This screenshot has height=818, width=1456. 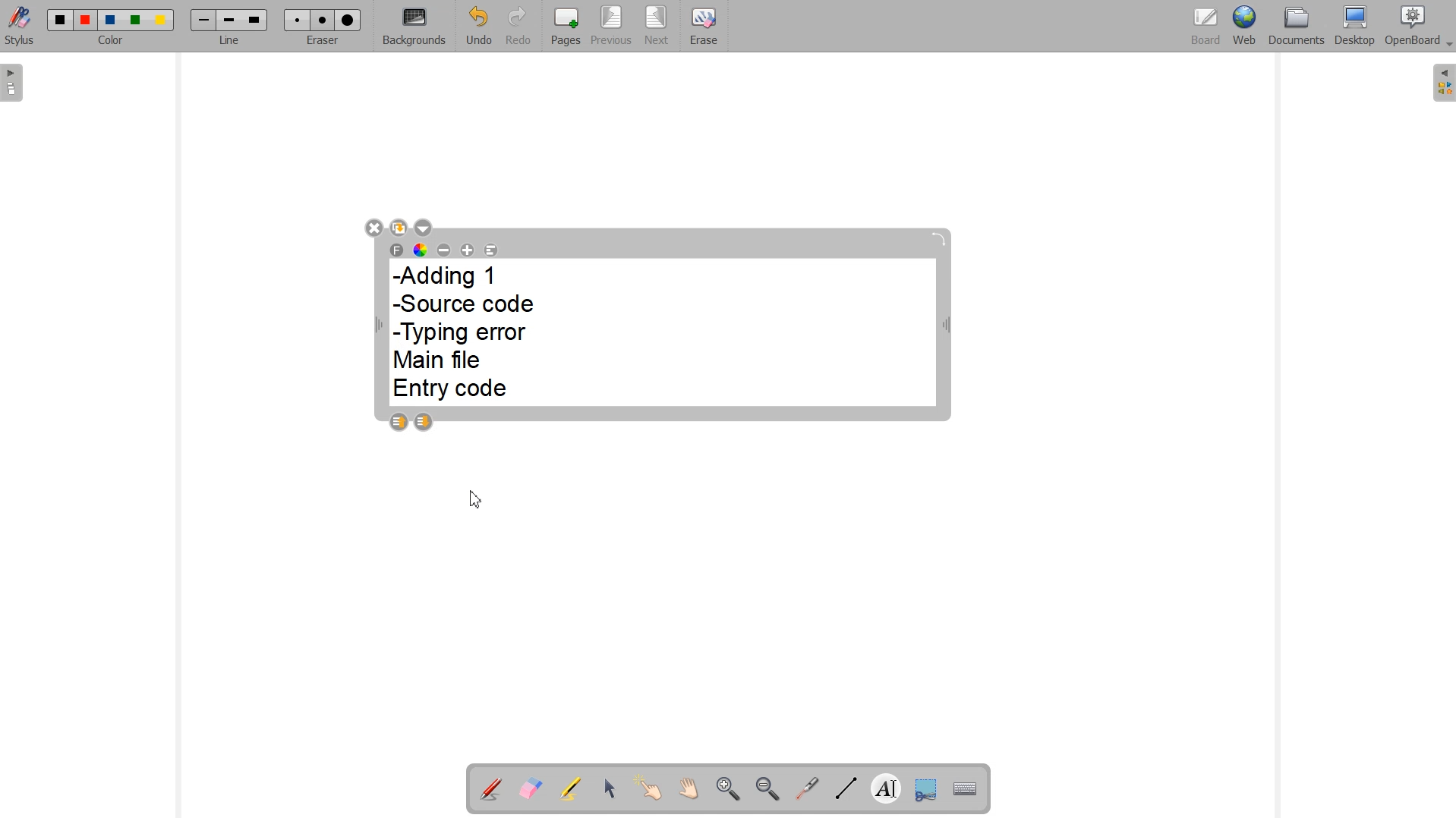 What do you see at coordinates (110, 20) in the screenshot?
I see `Color 3` at bounding box center [110, 20].